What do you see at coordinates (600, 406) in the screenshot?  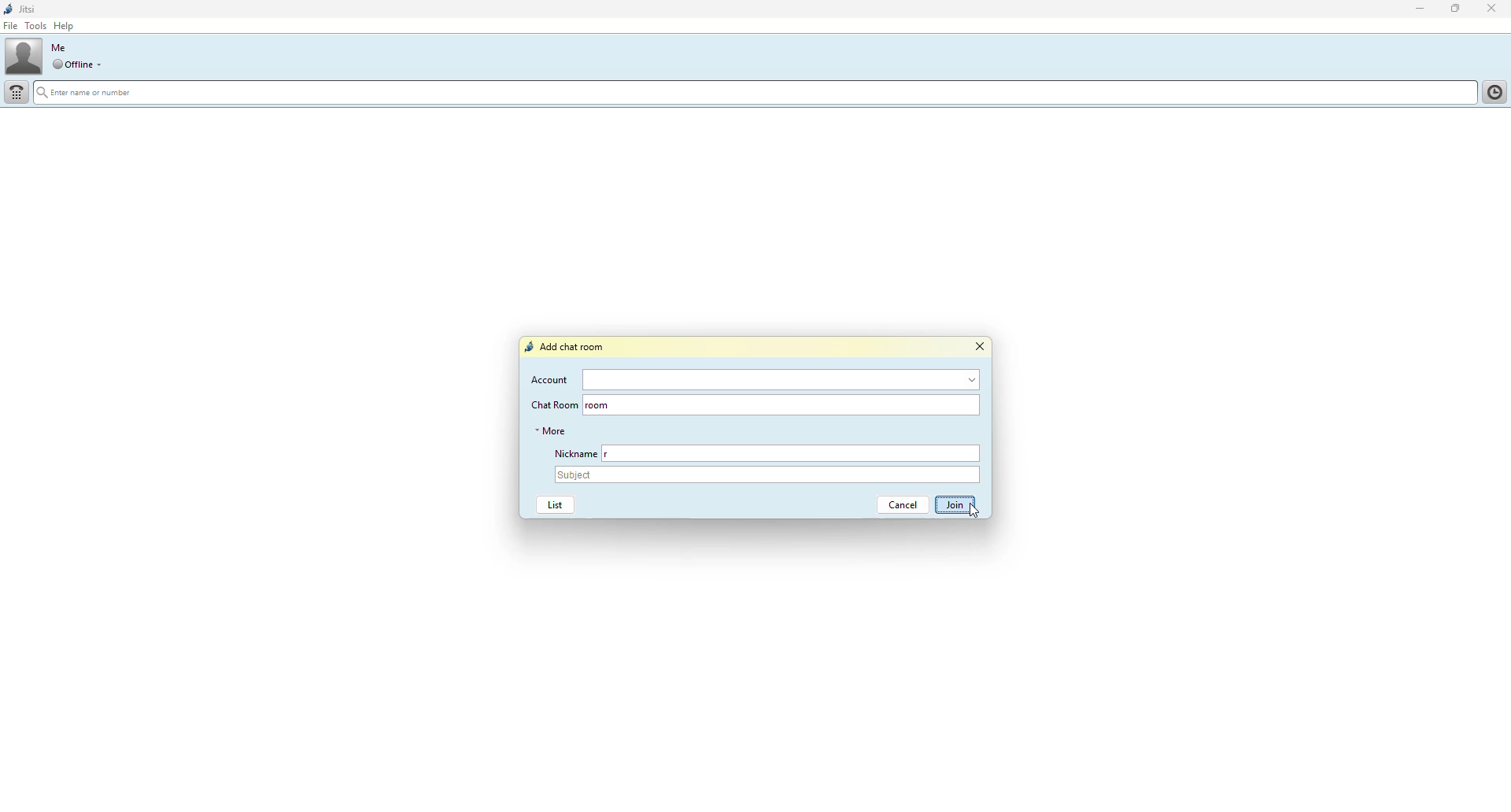 I see `room` at bounding box center [600, 406].